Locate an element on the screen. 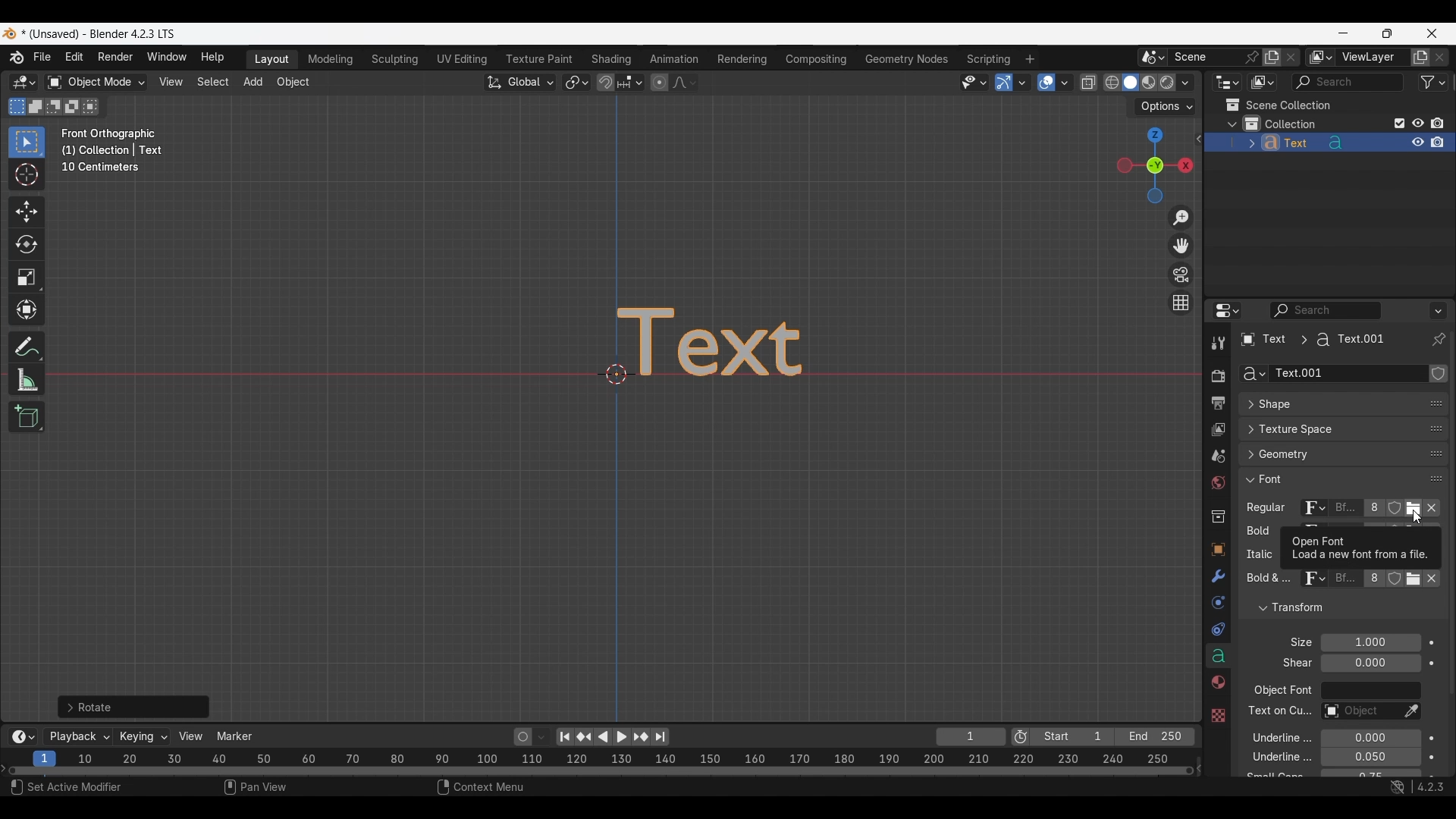  Add view layer is located at coordinates (1420, 58).